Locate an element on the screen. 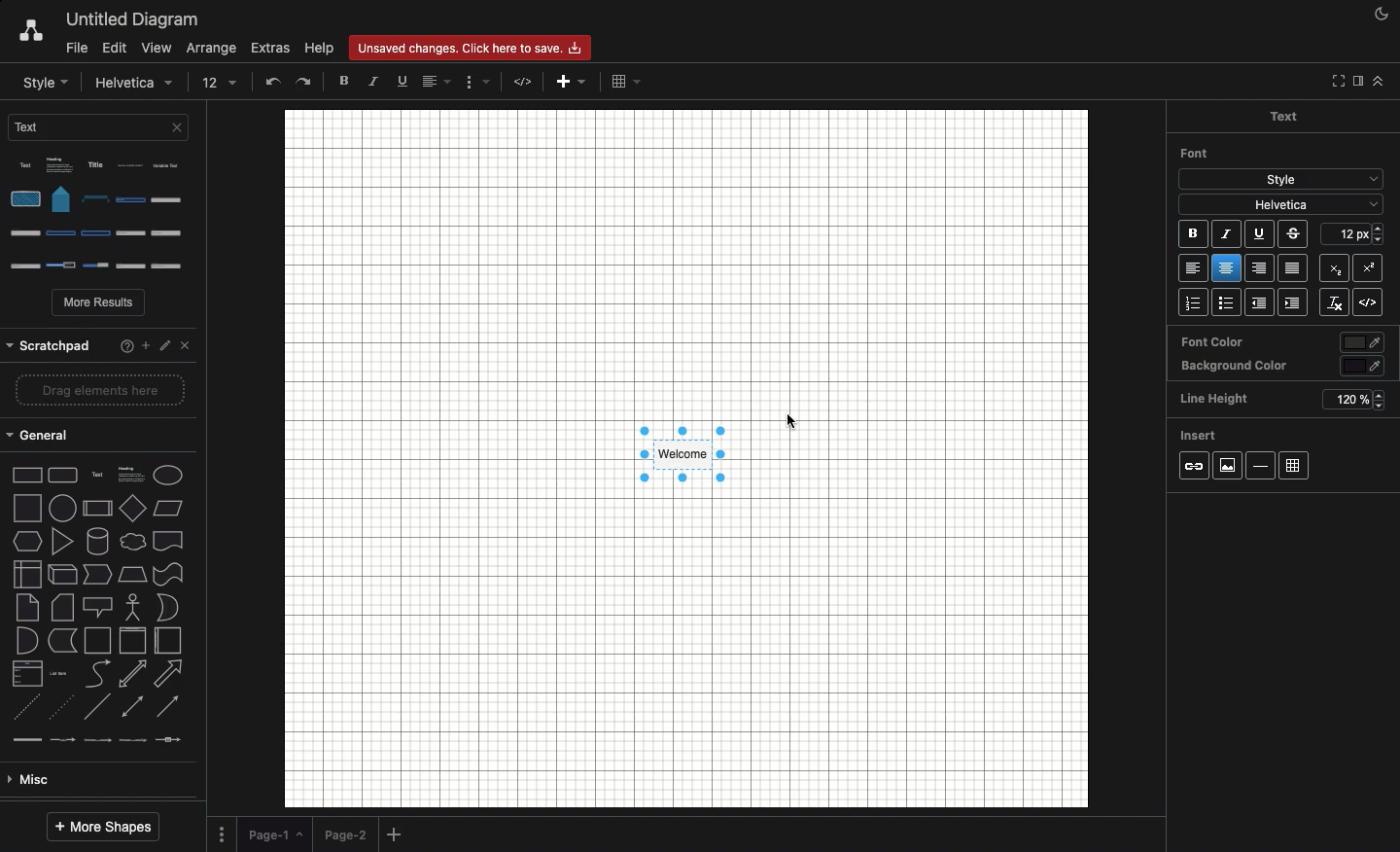 The height and width of the screenshot is (852, 1400). type of arrow is located at coordinates (104, 544).